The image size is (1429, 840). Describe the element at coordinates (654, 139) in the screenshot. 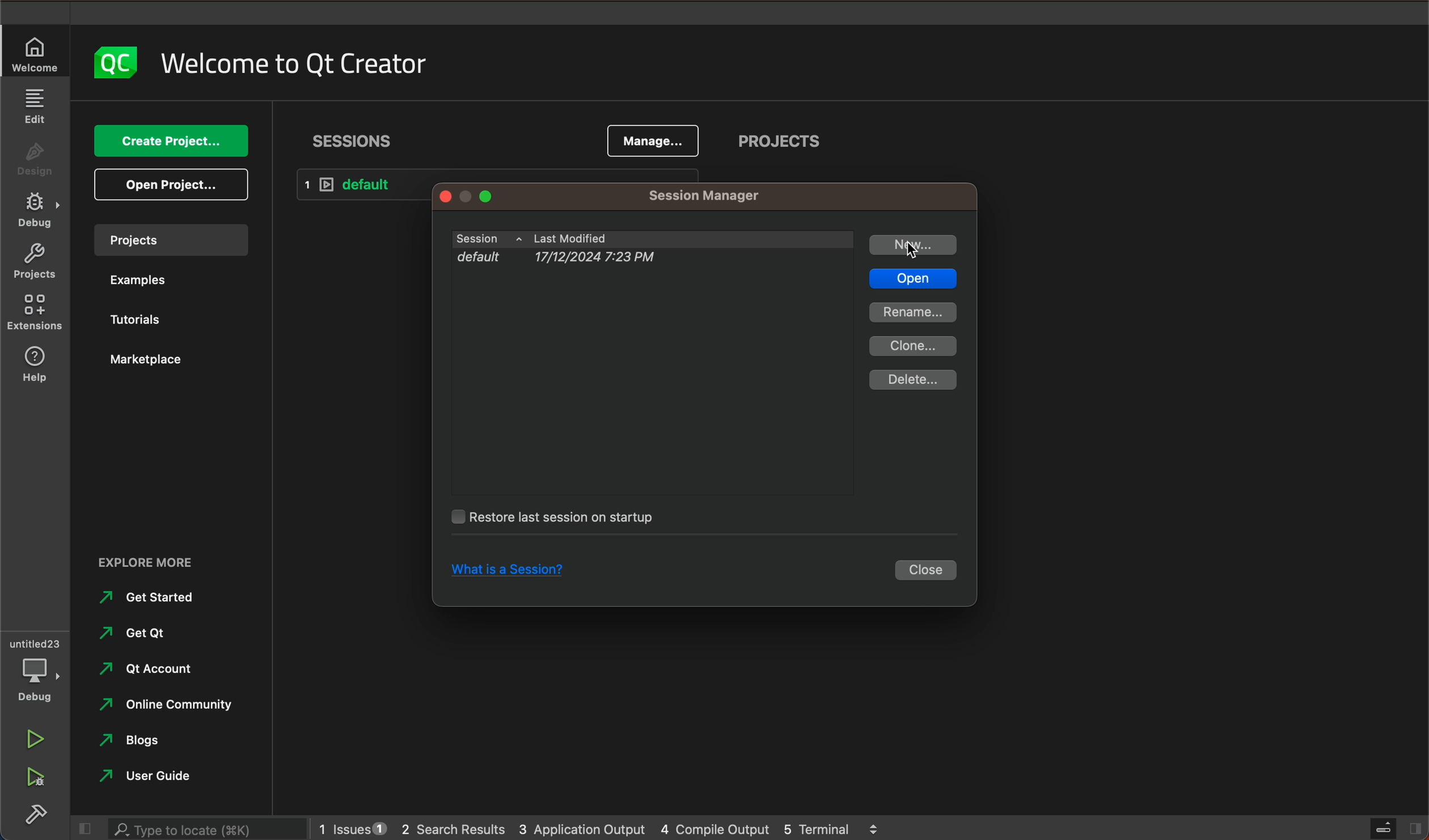

I see `manage` at that location.